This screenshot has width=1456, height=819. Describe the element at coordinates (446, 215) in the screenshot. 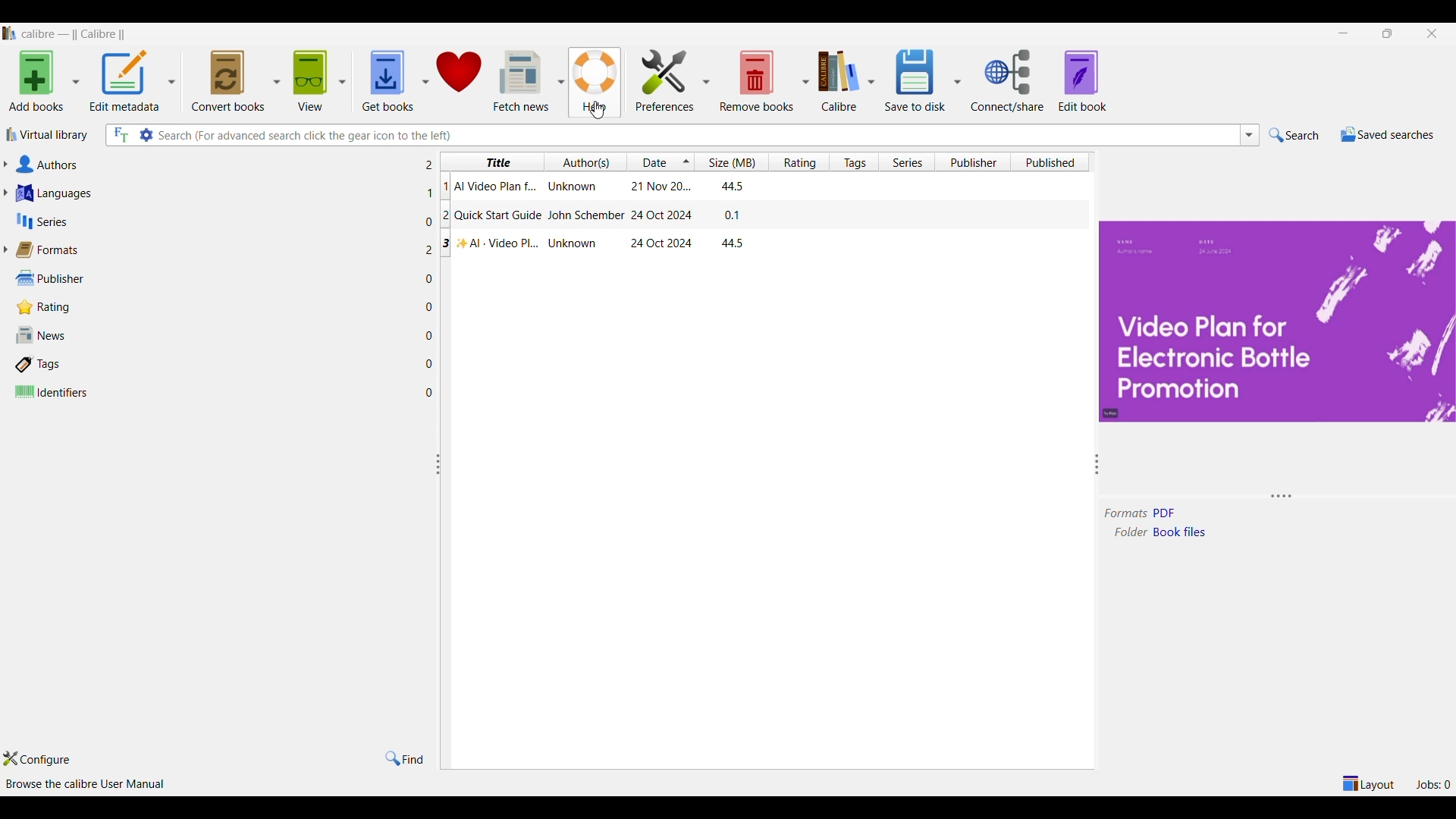

I see `Ordered list of columns` at that location.